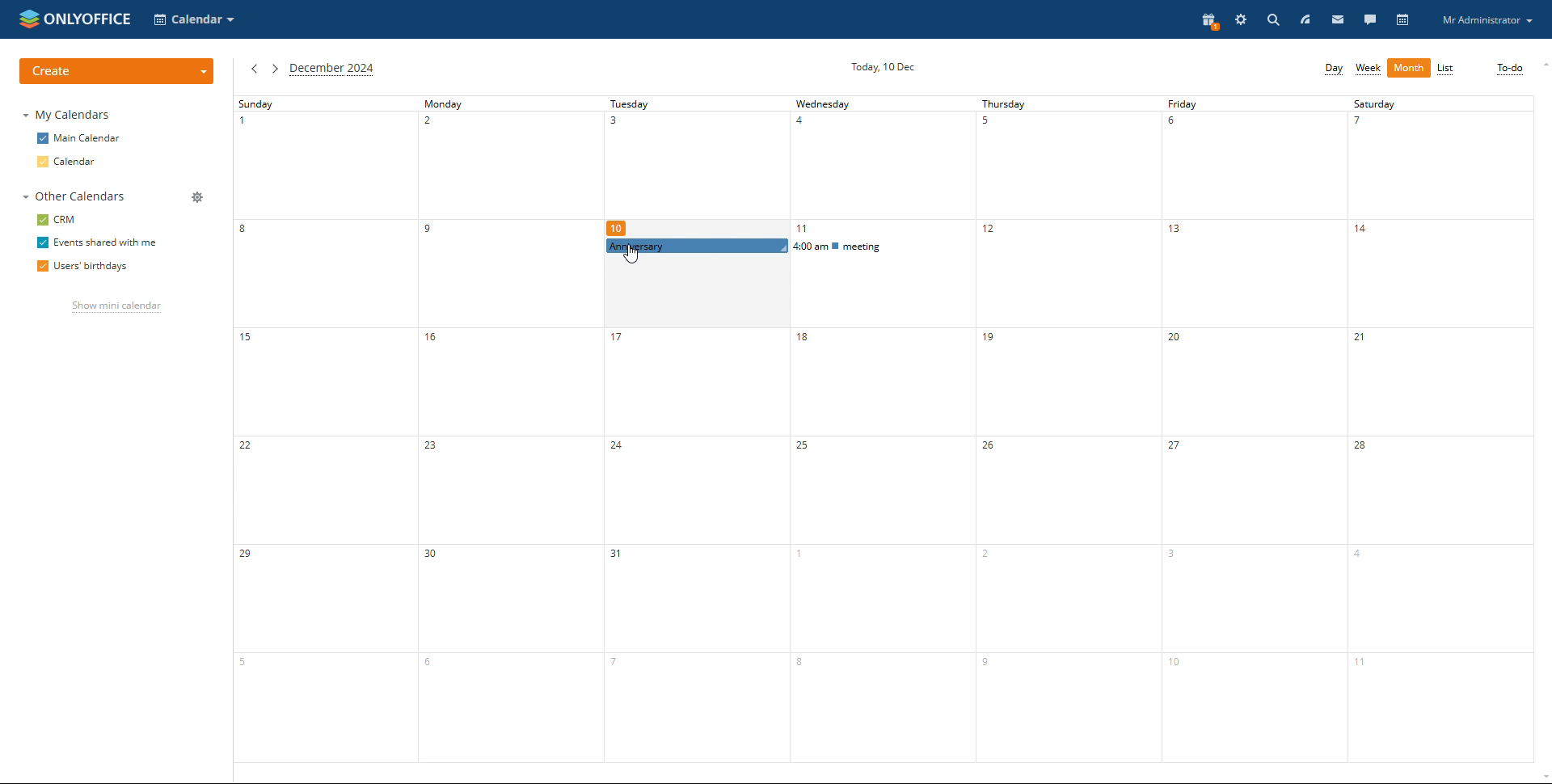  I want to click on other calendars, so click(72, 197).